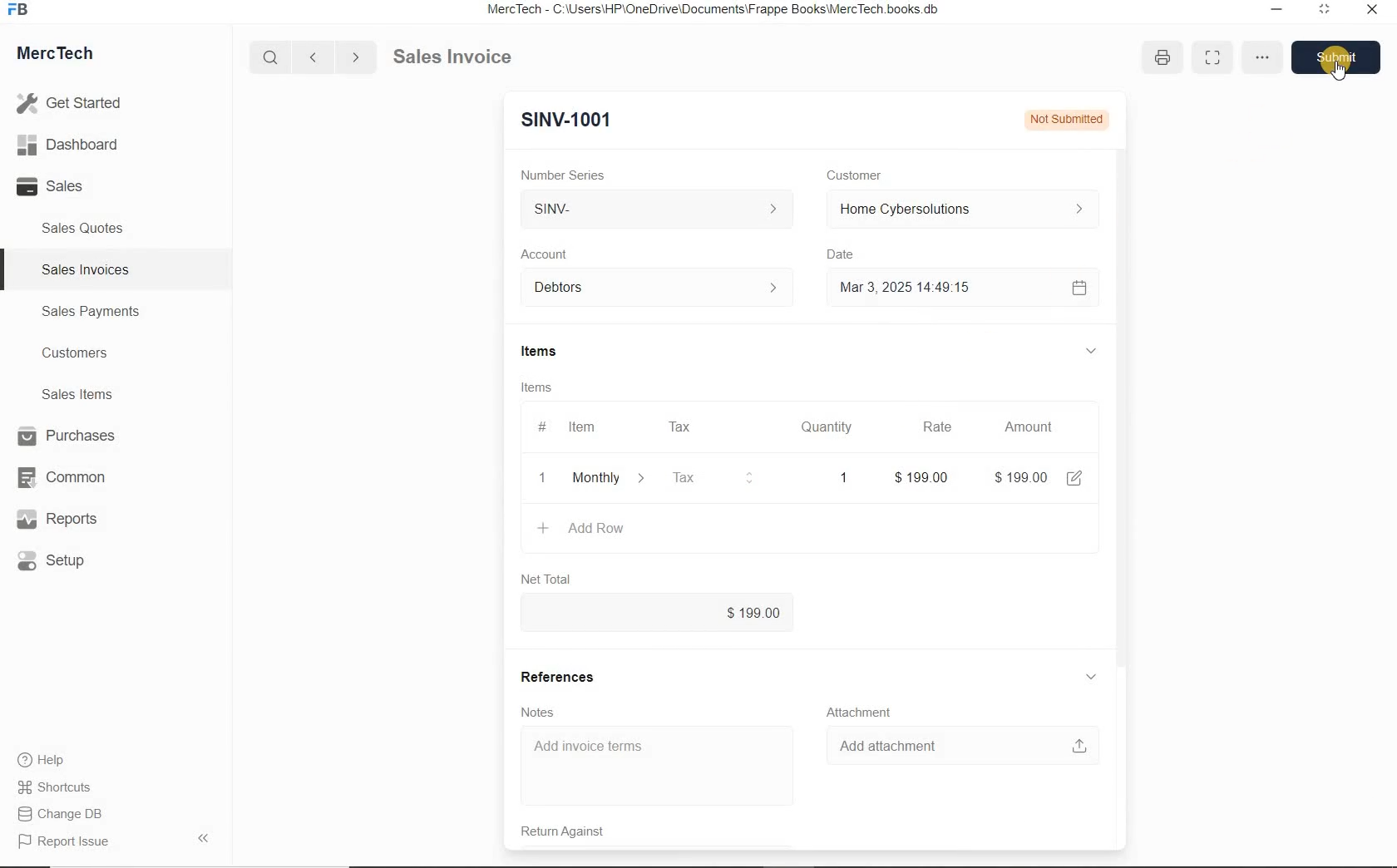 Image resolution: width=1397 pixels, height=868 pixels. I want to click on New Entry, so click(565, 121).